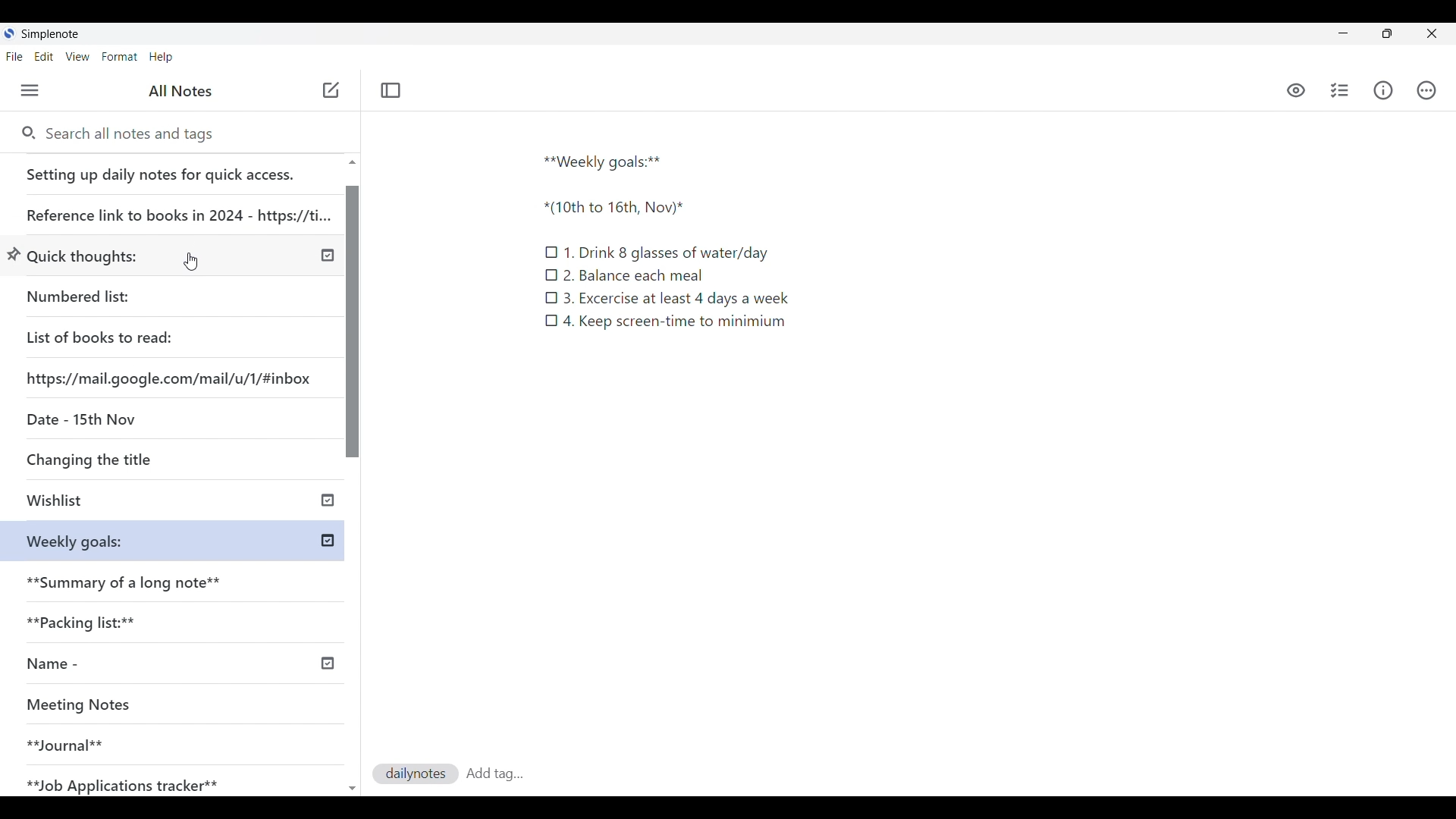 The width and height of the screenshot is (1456, 819). What do you see at coordinates (179, 620) in the screenshot?
I see `Packing lists` at bounding box center [179, 620].